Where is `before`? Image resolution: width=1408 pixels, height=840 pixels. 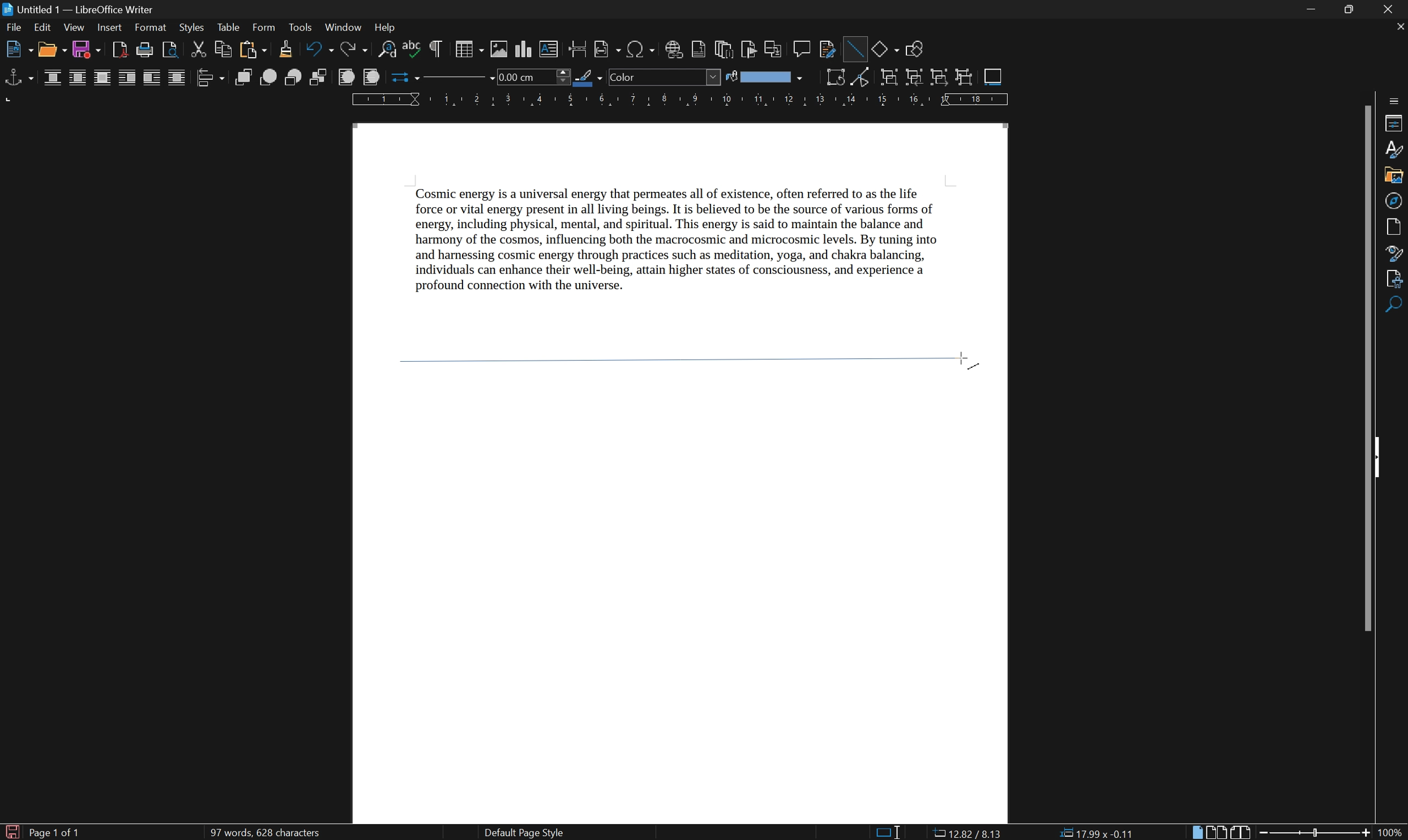 before is located at coordinates (127, 79).